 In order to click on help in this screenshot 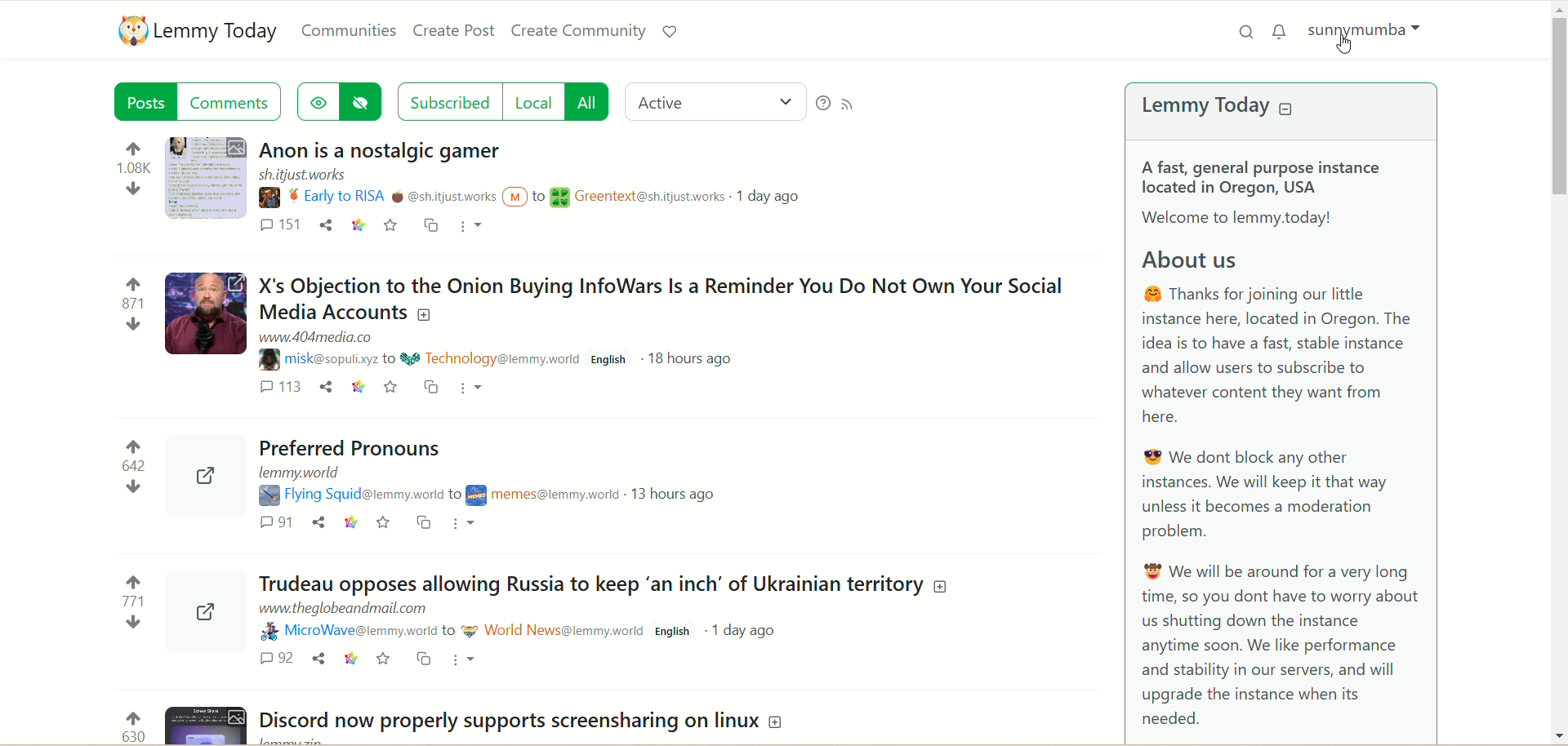, I will do `click(822, 104)`.